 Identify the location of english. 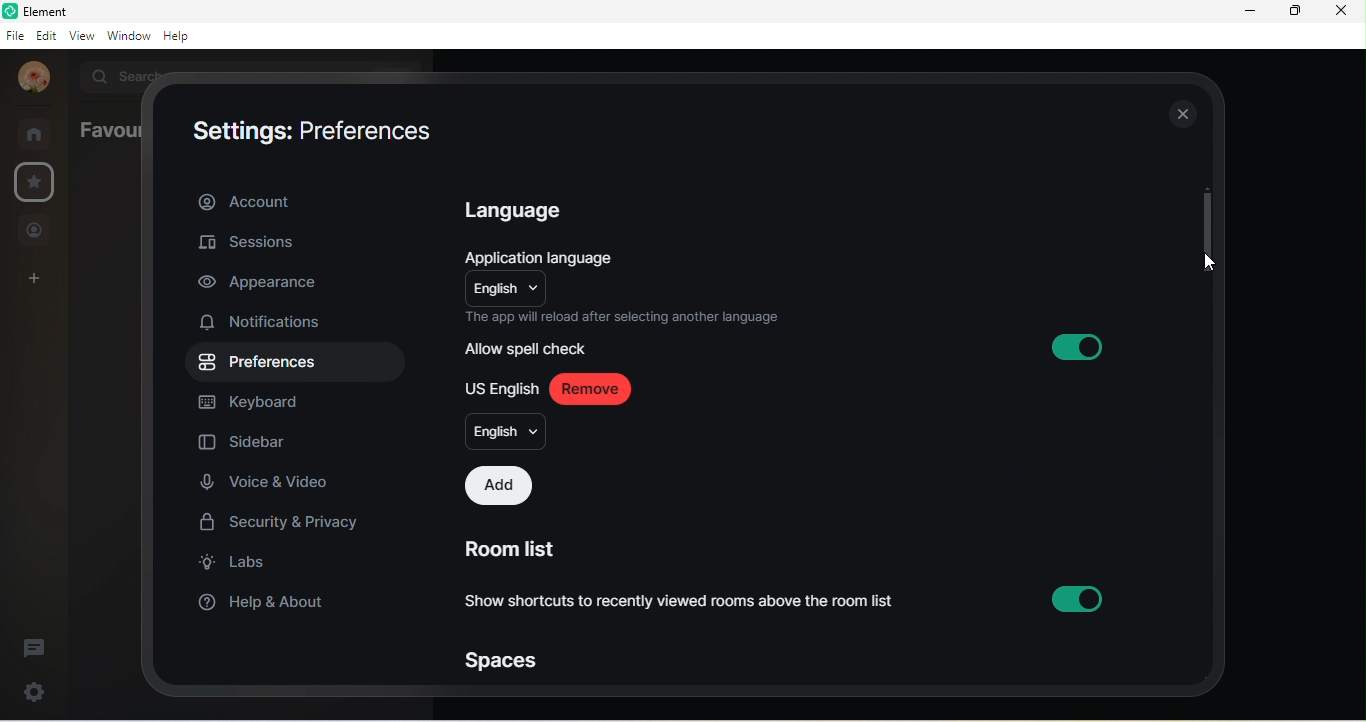
(503, 432).